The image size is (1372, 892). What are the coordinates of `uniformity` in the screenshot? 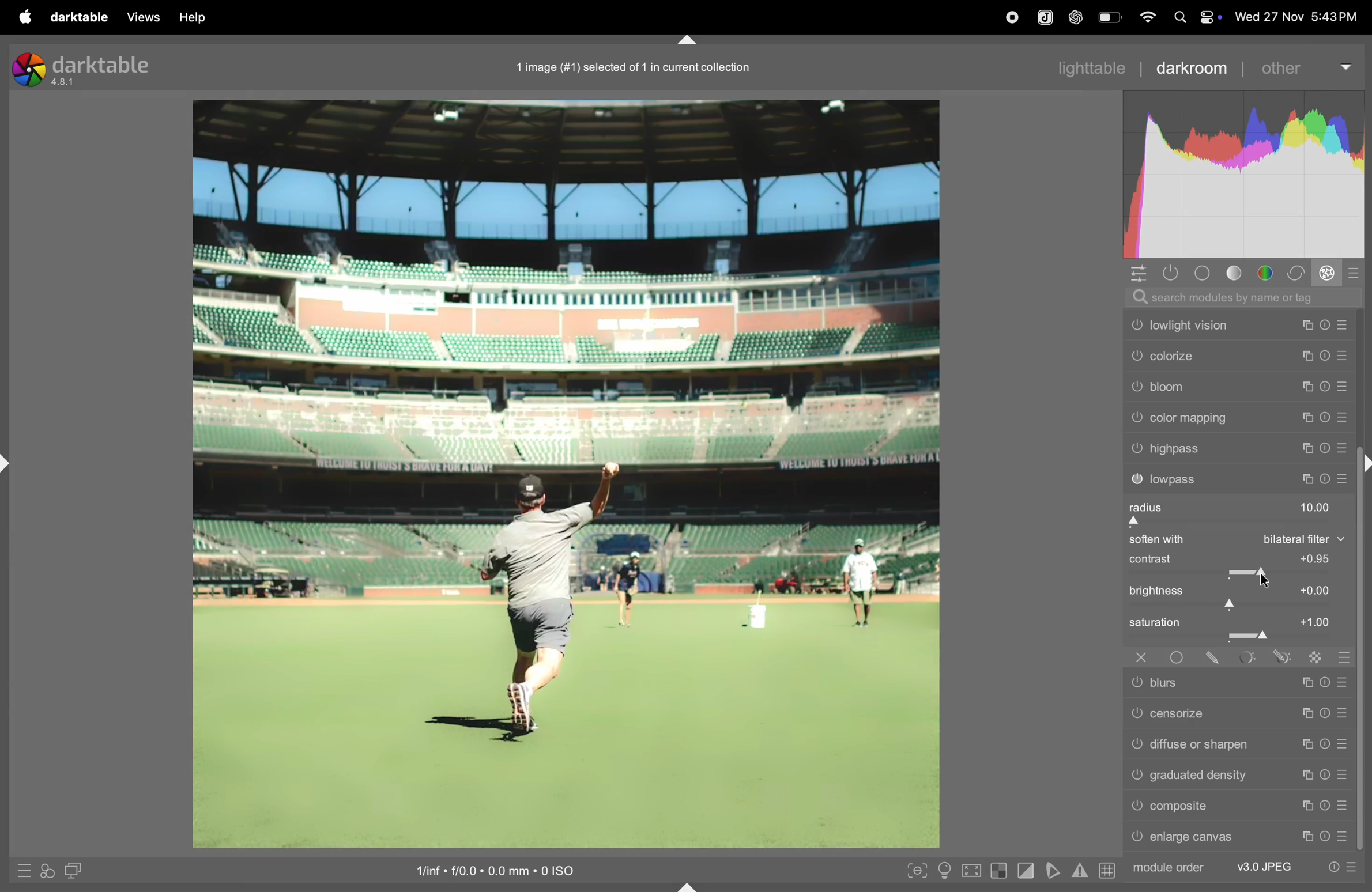 It's located at (1179, 658).